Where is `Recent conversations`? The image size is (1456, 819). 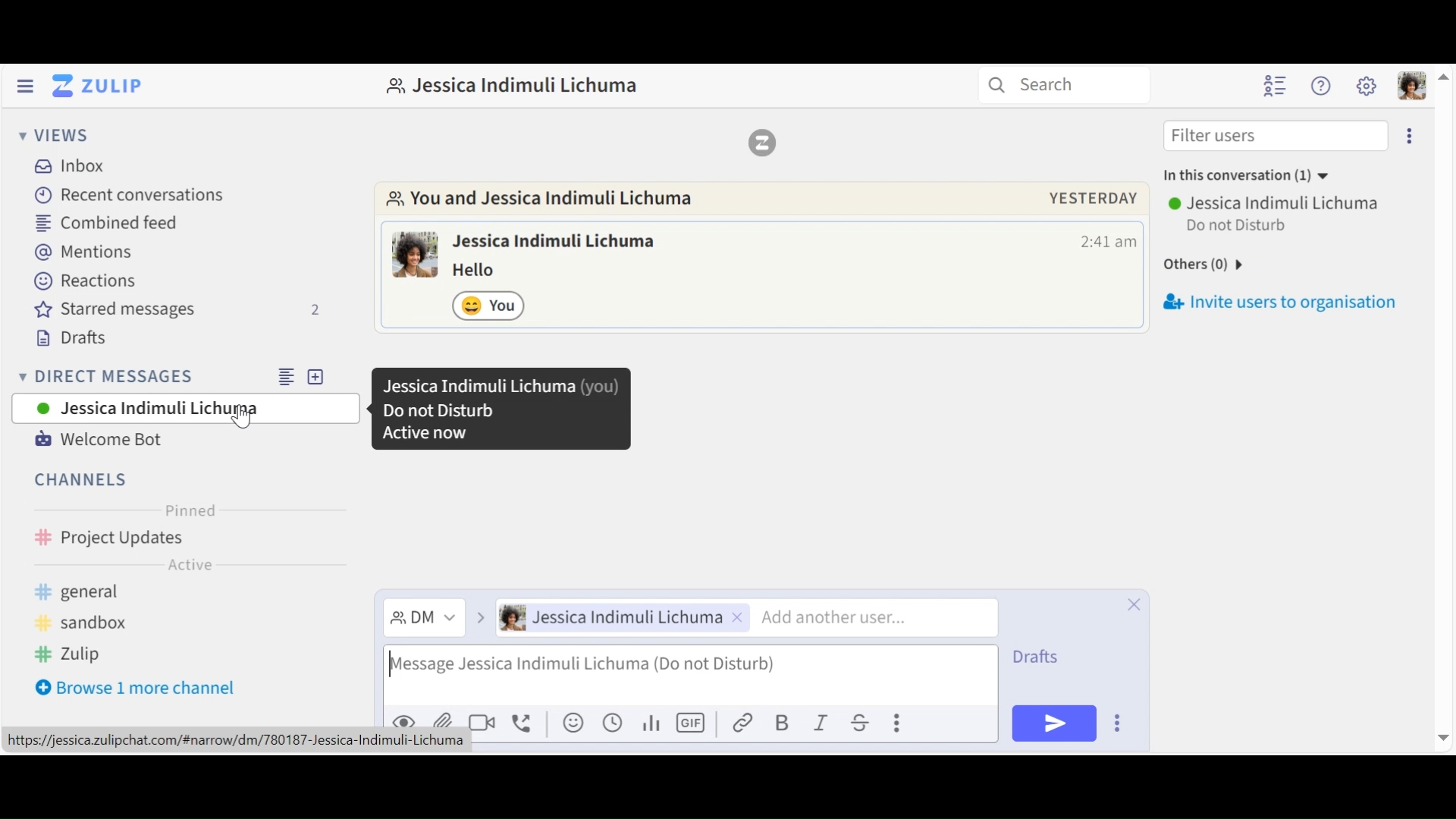 Recent conversations is located at coordinates (133, 196).